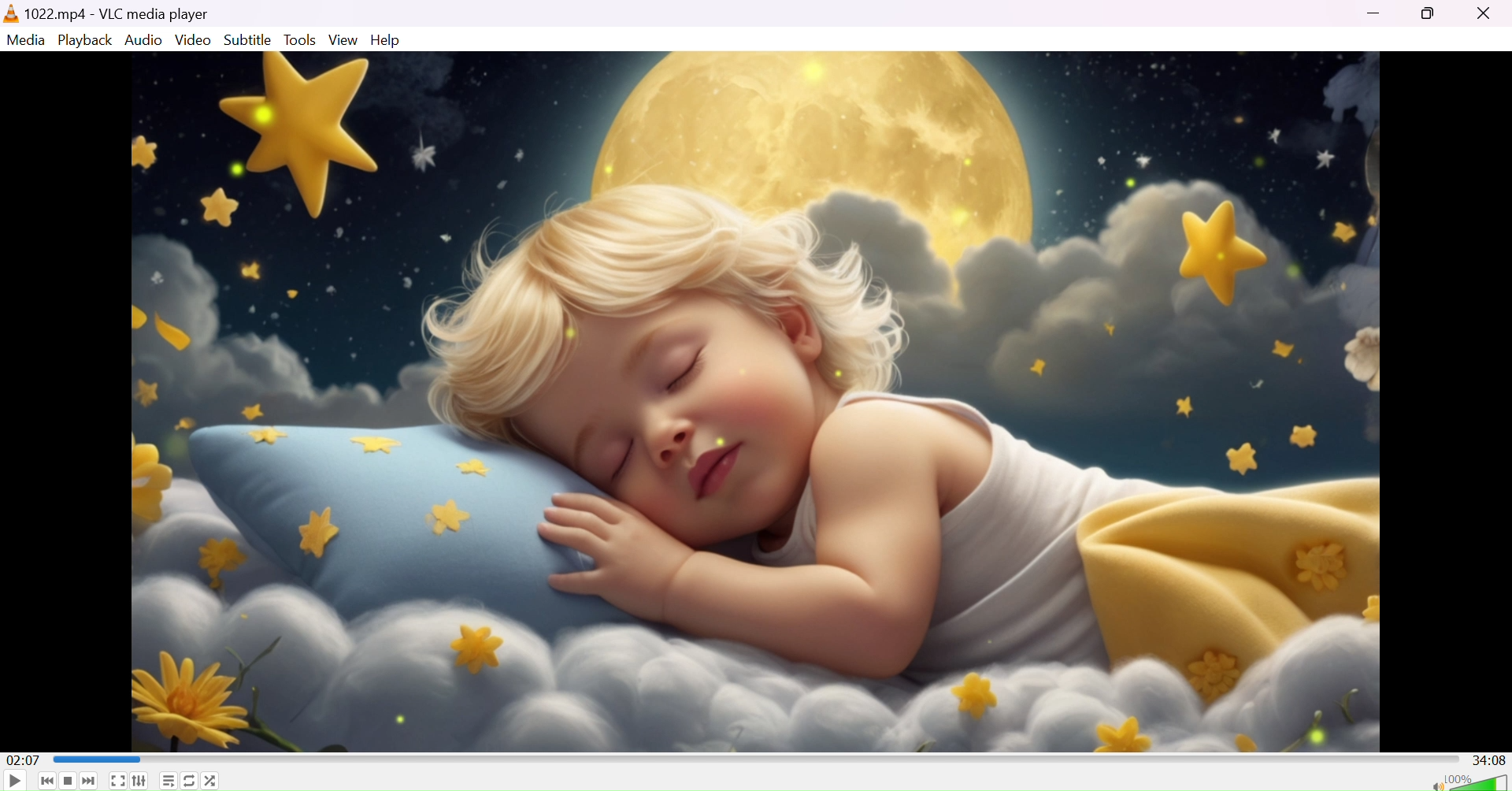 Image resolution: width=1512 pixels, height=791 pixels. I want to click on Play, so click(14, 780).